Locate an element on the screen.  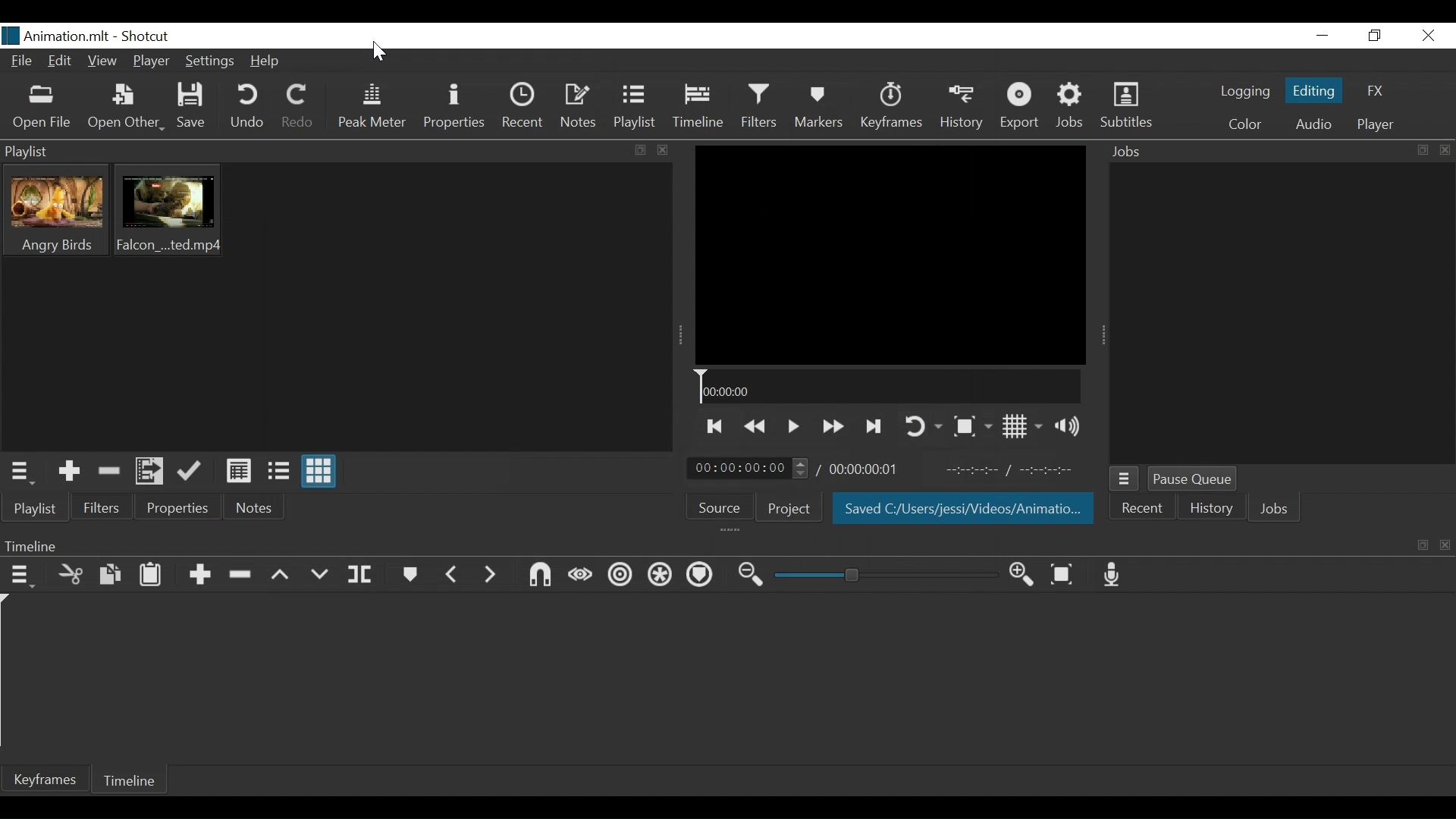
Jobs is located at coordinates (1279, 153).